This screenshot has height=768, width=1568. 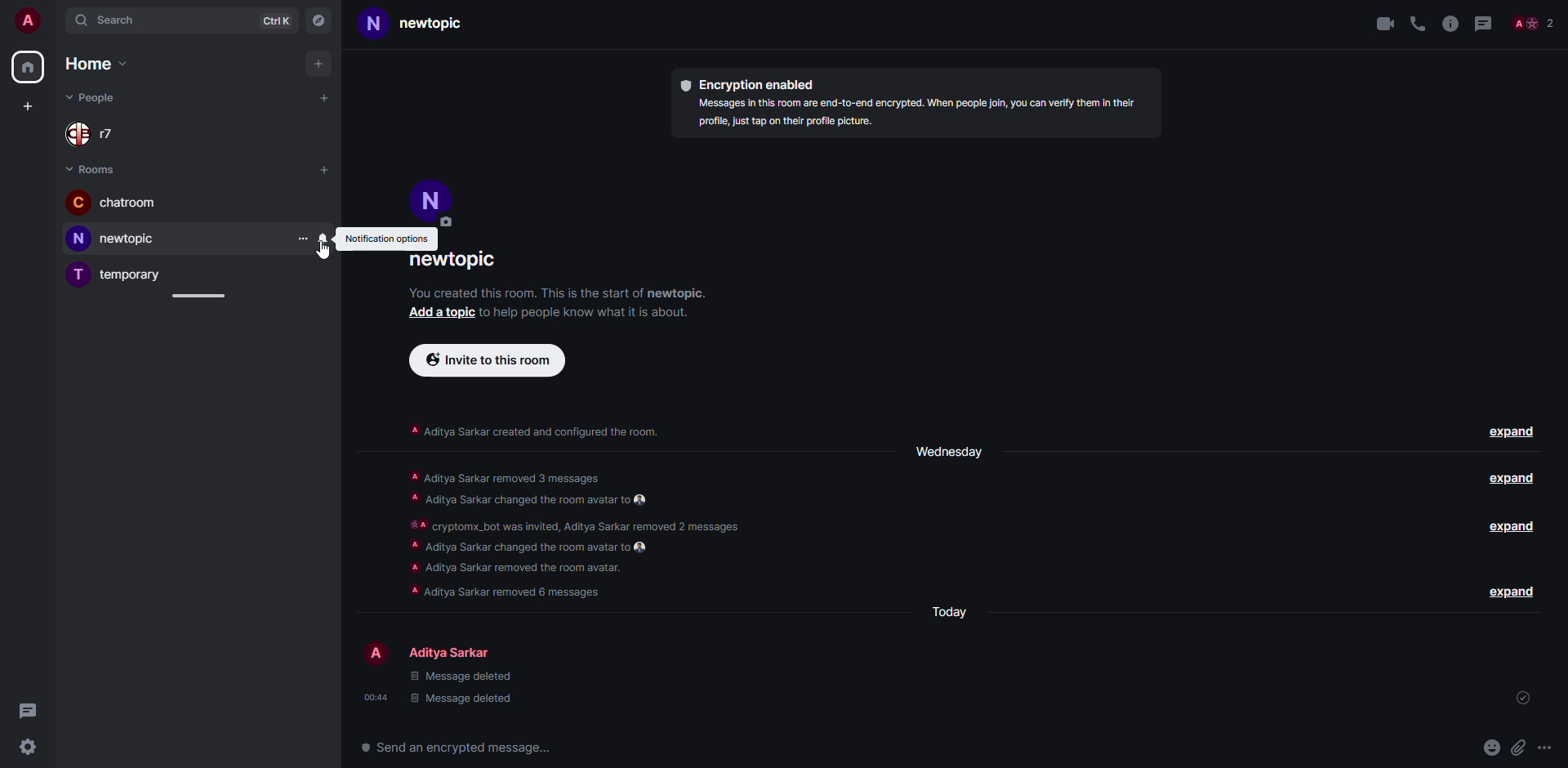 I want to click on add, so click(x=442, y=312).